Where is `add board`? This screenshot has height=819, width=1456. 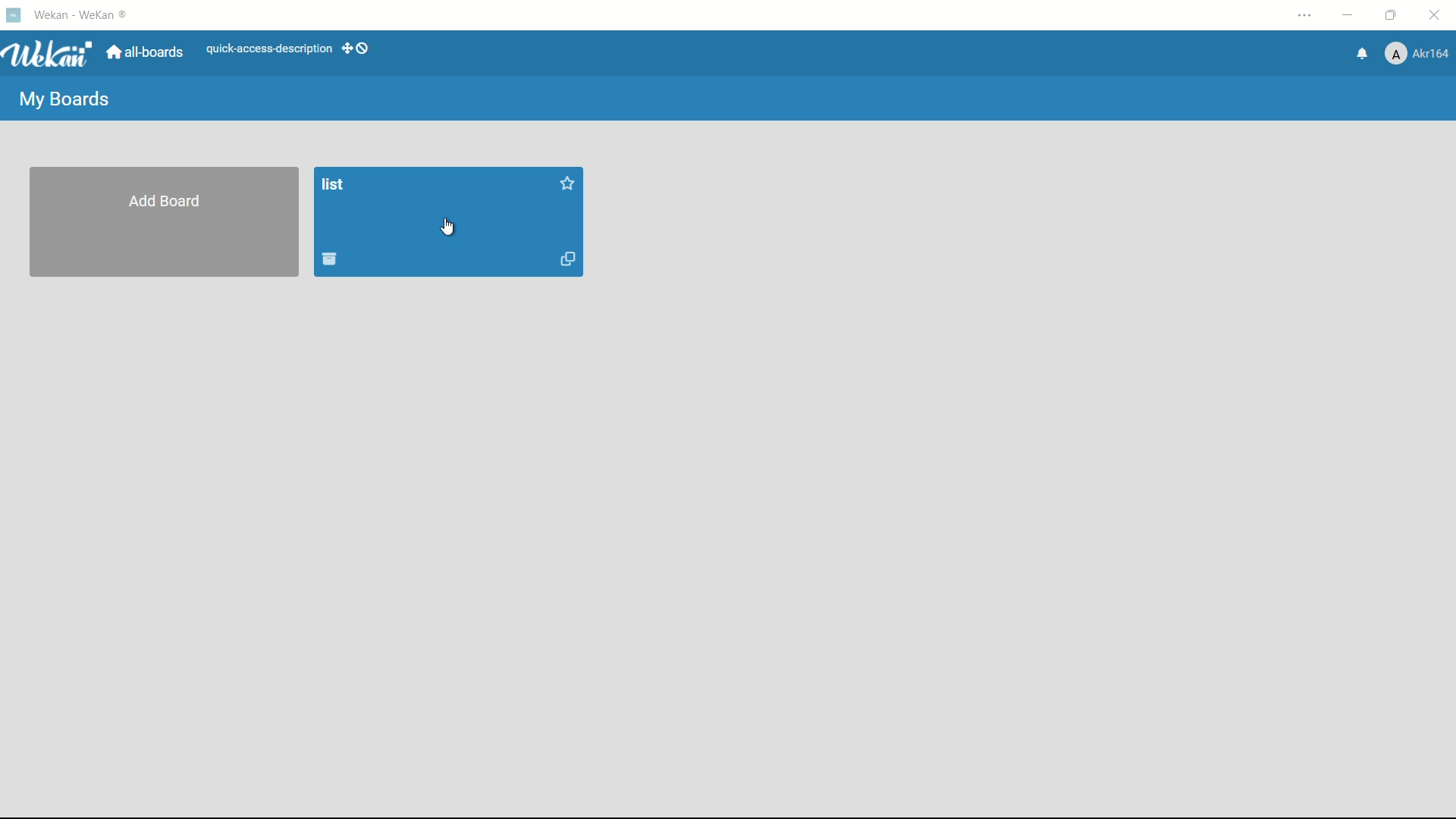 add board is located at coordinates (166, 202).